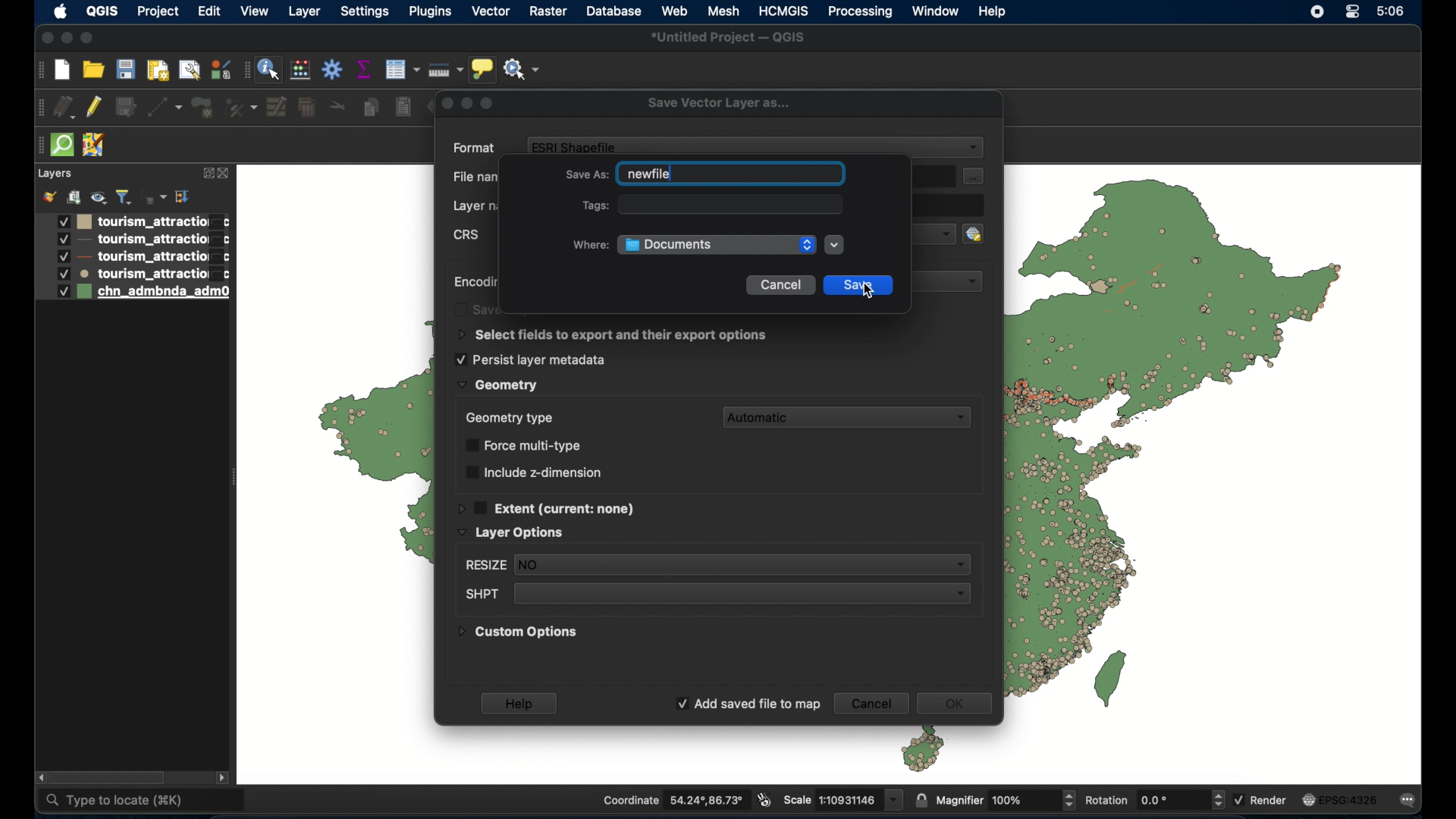 The image size is (1456, 819). What do you see at coordinates (519, 635) in the screenshot?
I see `custom options` at bounding box center [519, 635].